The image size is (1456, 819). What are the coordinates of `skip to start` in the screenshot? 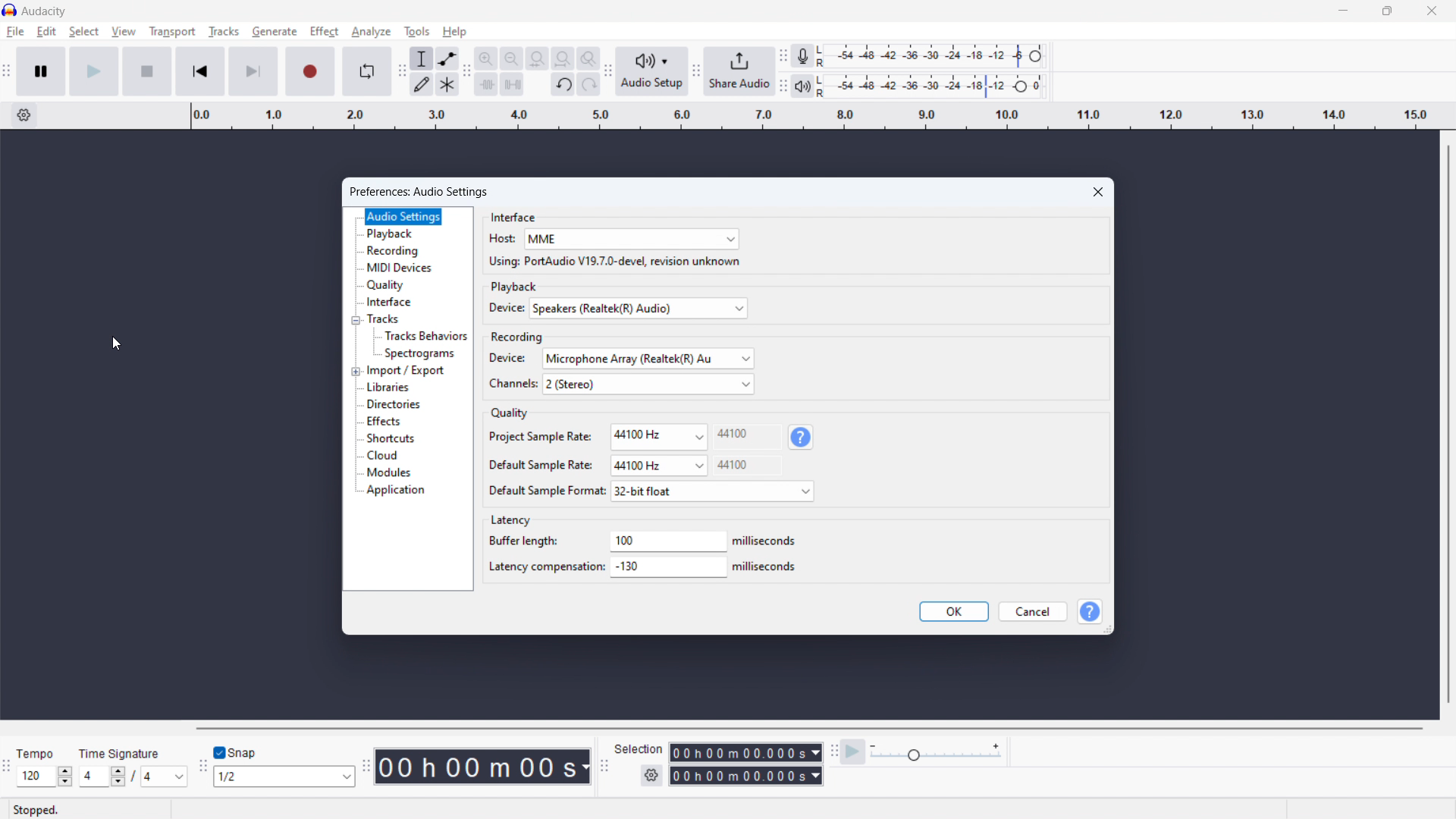 It's located at (200, 71).